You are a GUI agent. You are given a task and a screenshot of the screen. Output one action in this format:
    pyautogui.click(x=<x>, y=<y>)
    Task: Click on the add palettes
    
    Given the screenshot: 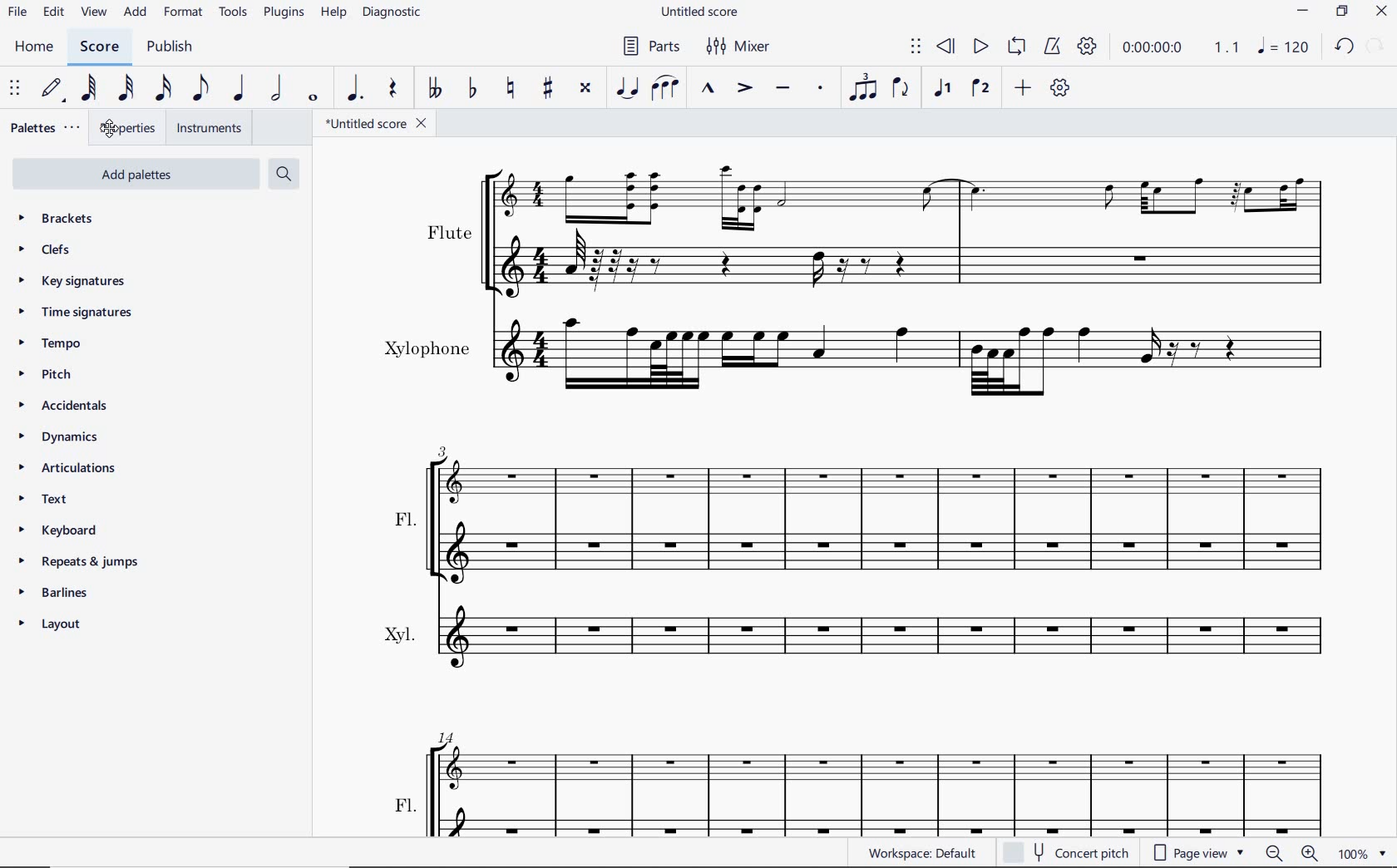 What is the action you would take?
    pyautogui.click(x=134, y=175)
    